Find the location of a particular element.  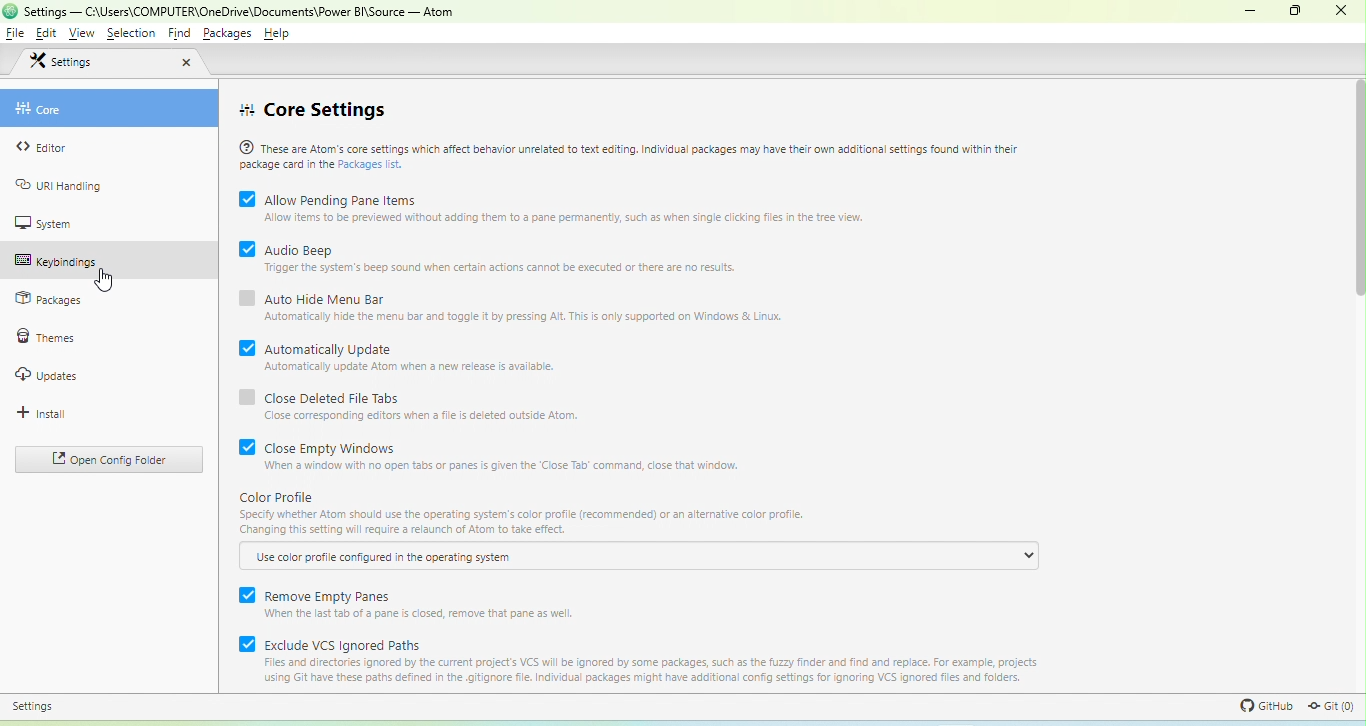

file menu is located at coordinates (16, 33).